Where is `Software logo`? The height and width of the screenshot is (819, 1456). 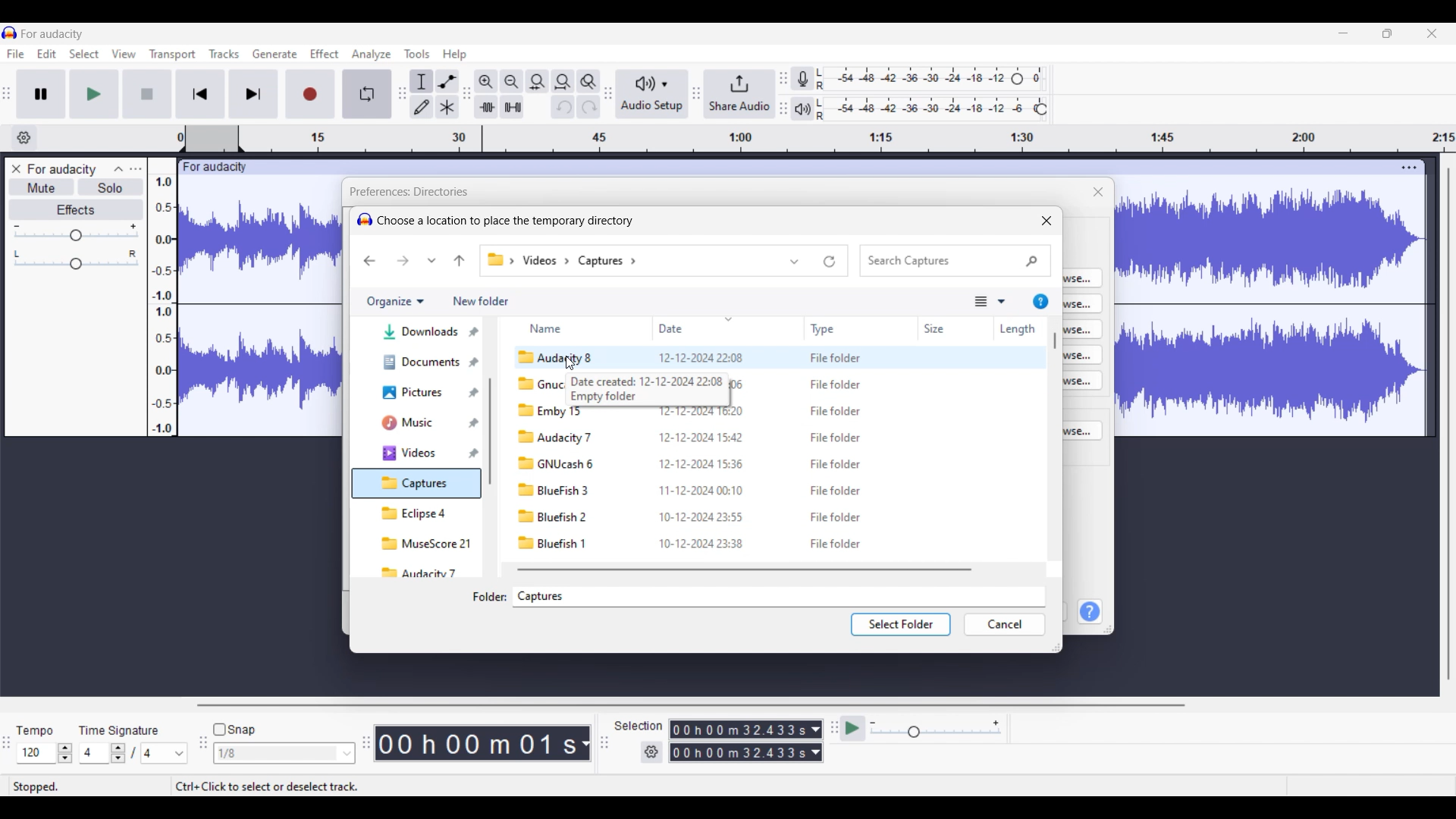
Software logo is located at coordinates (364, 219).